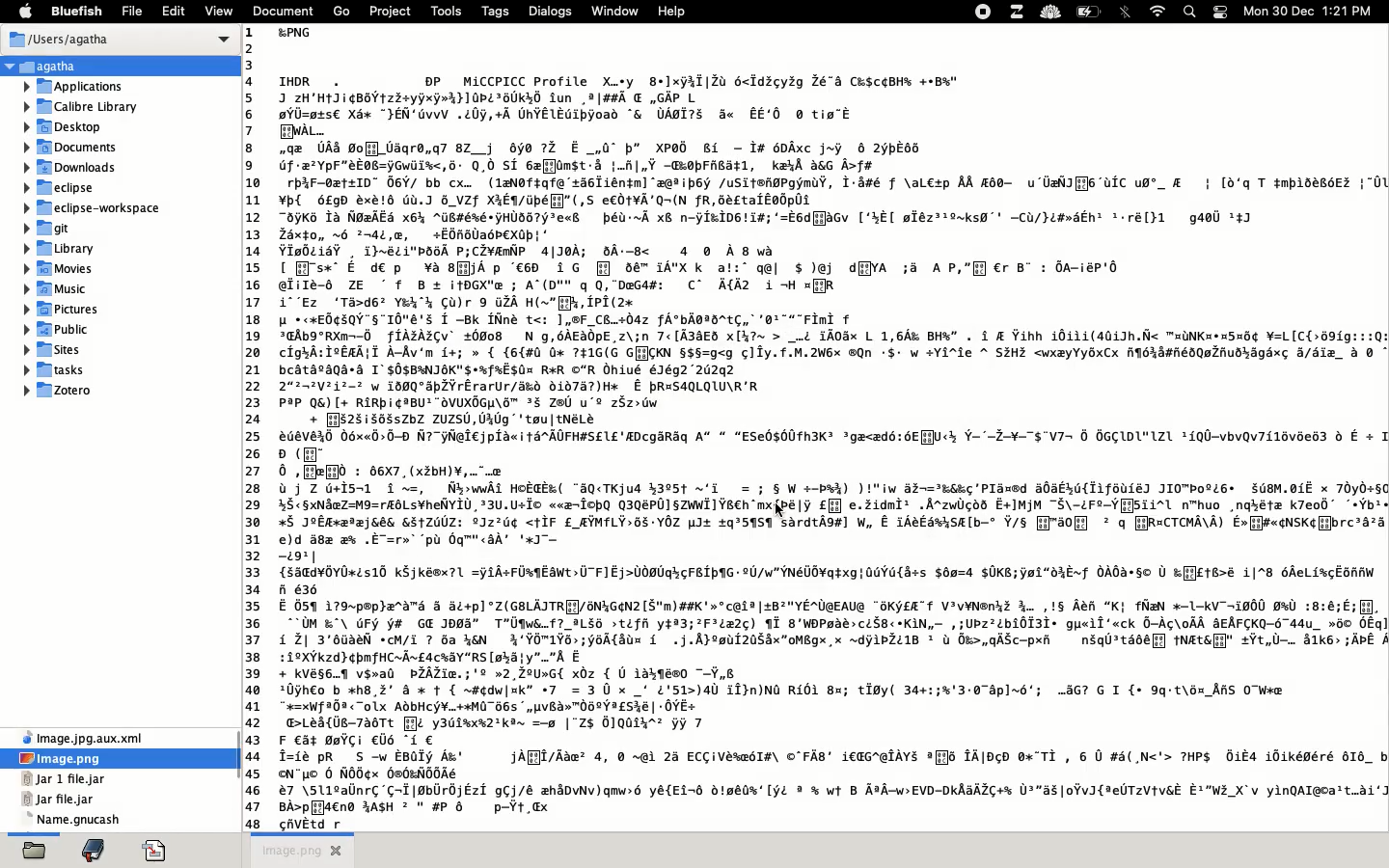 This screenshot has width=1389, height=868. What do you see at coordinates (449, 11) in the screenshot?
I see `tools` at bounding box center [449, 11].